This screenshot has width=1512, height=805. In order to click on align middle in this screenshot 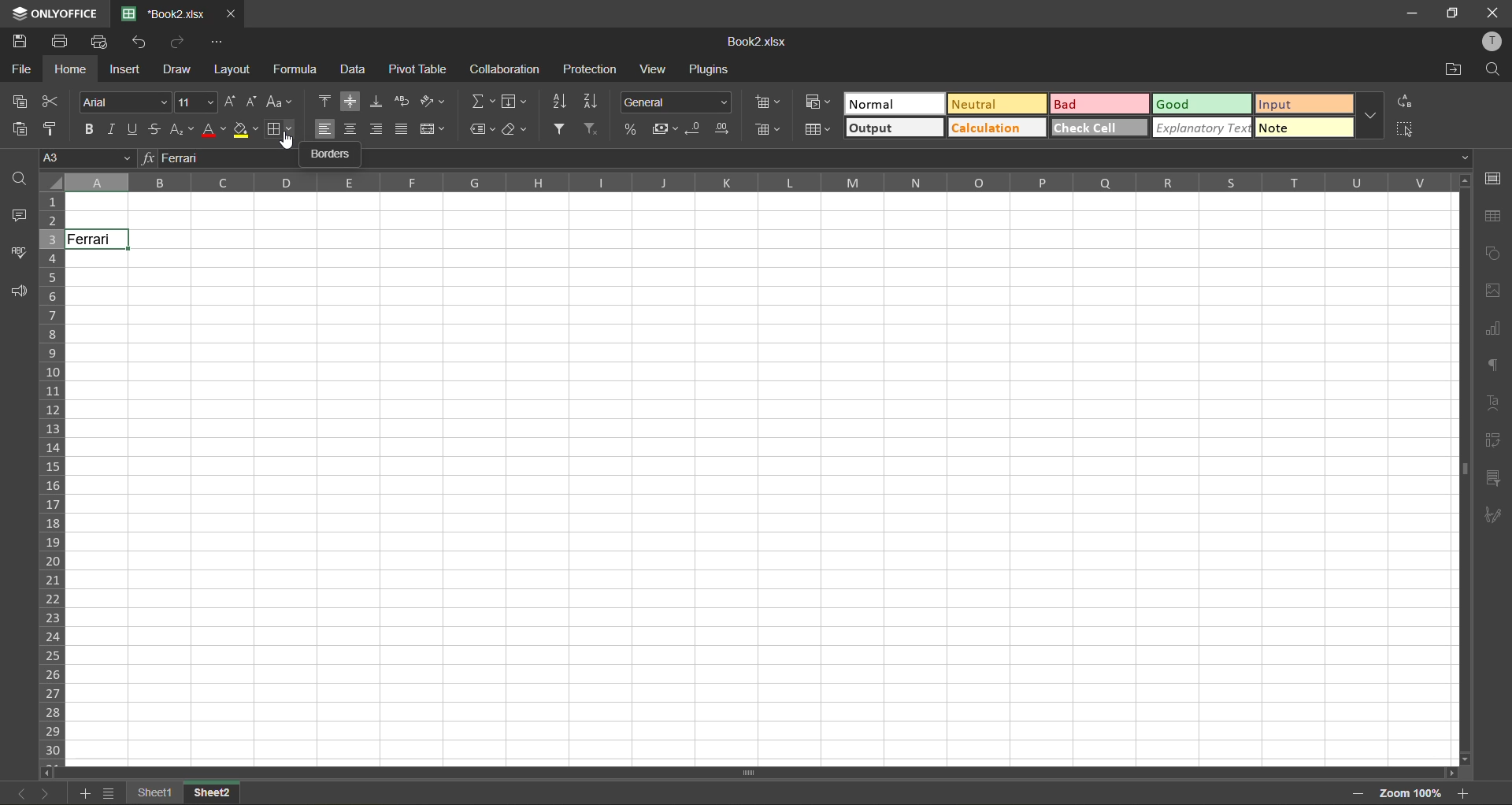, I will do `click(350, 101)`.